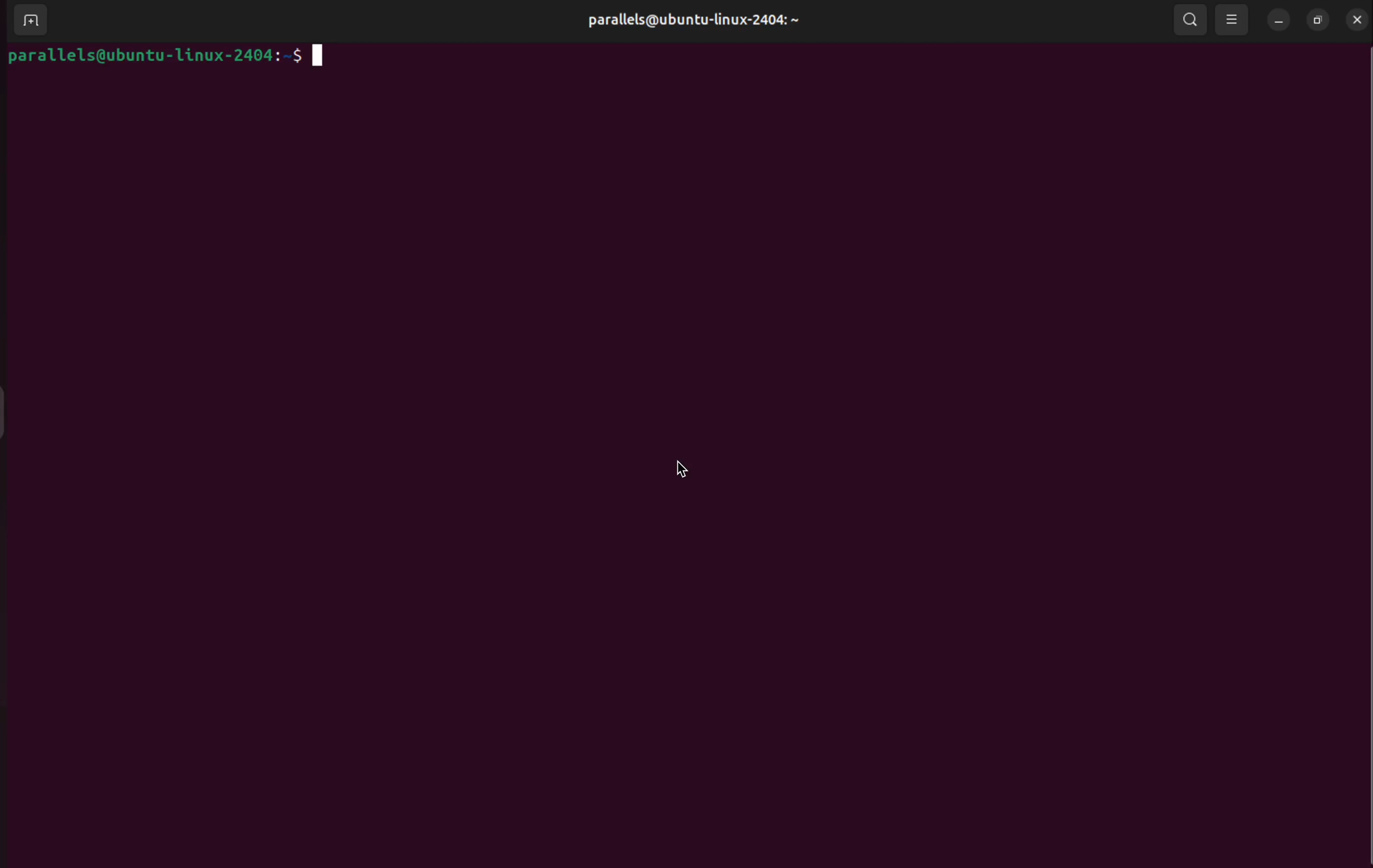 The image size is (1373, 868). Describe the element at coordinates (1189, 22) in the screenshot. I see `search` at that location.